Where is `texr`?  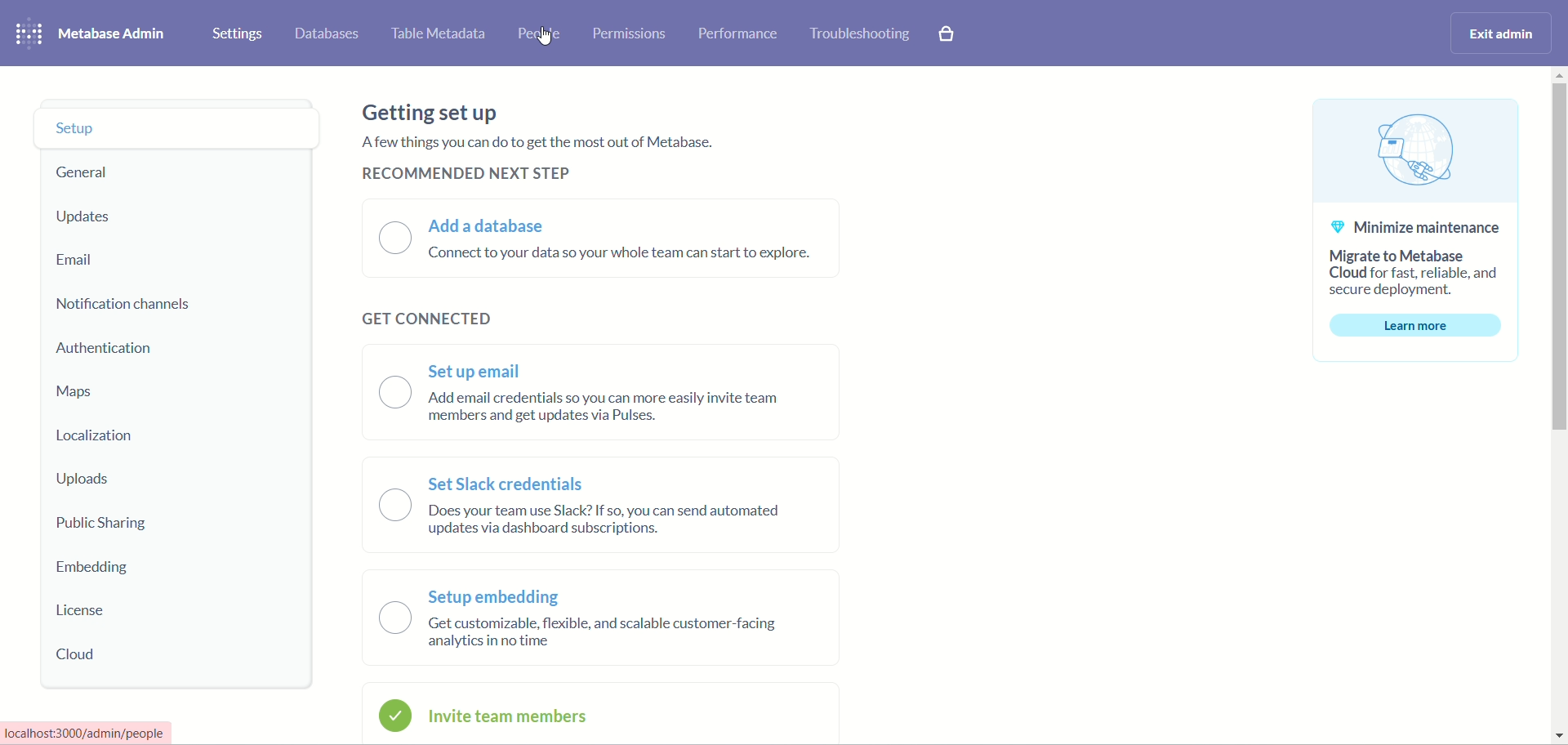
texr is located at coordinates (87, 734).